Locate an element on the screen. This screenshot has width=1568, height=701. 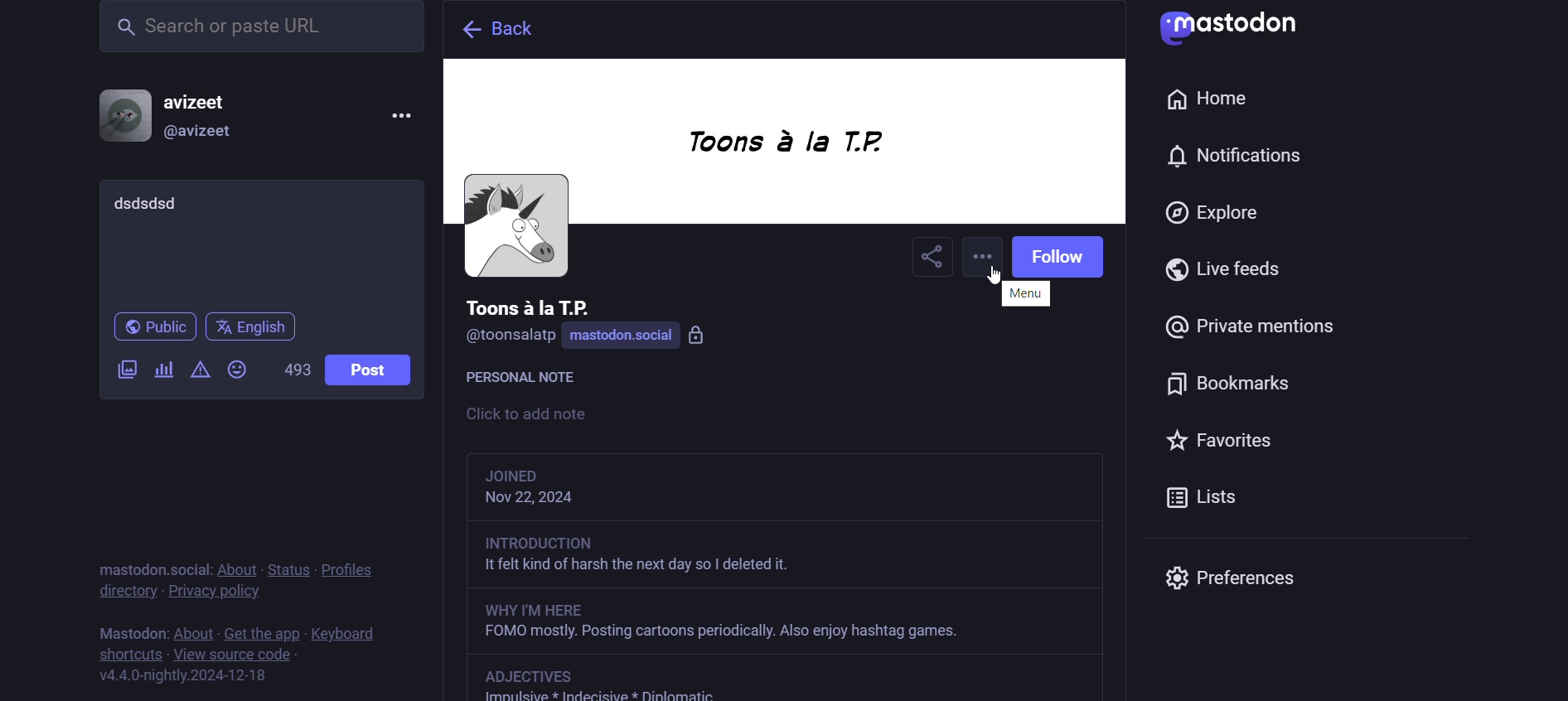
content warning is located at coordinates (198, 372).